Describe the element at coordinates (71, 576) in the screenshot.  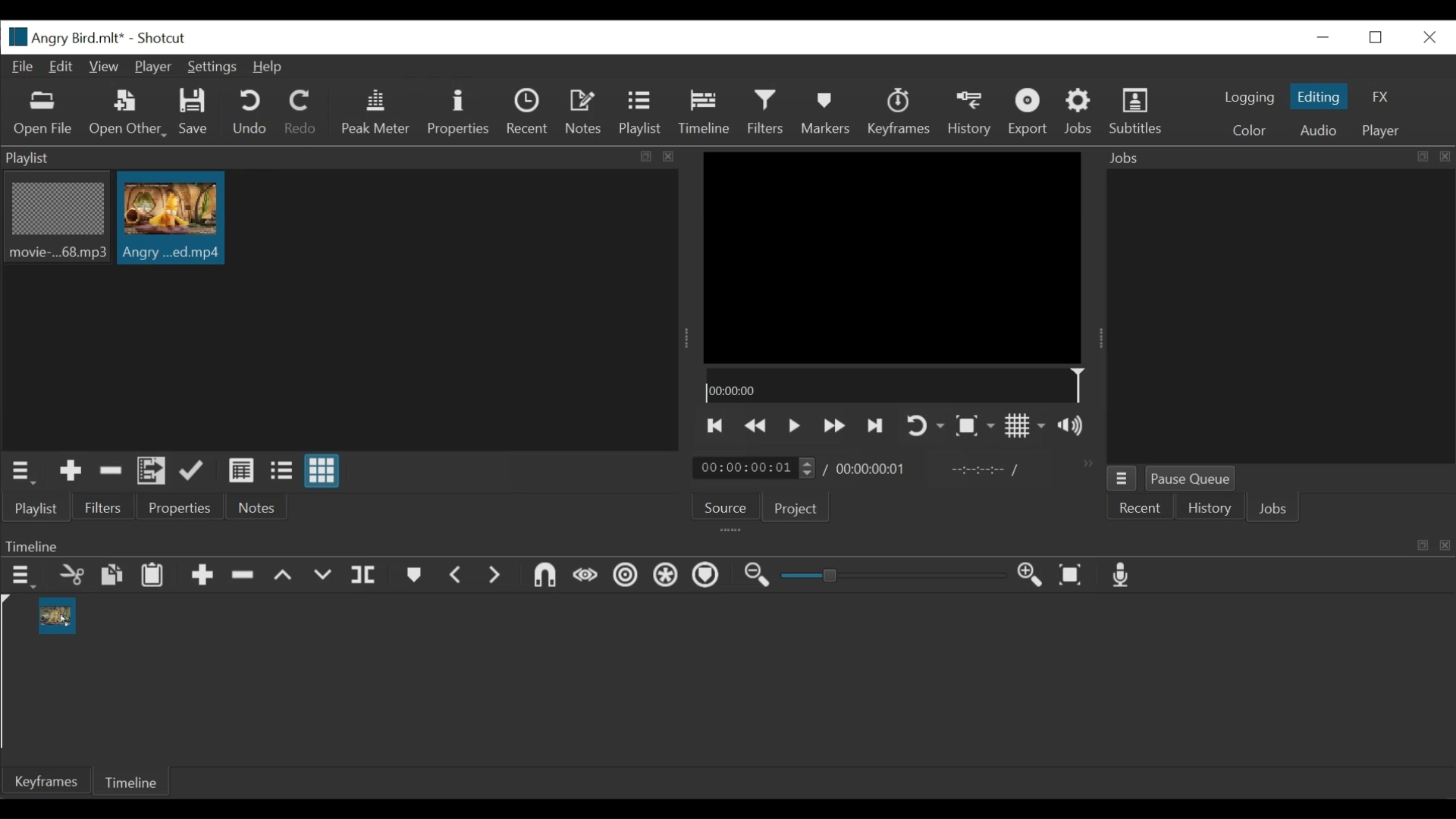
I see `Cut` at that location.